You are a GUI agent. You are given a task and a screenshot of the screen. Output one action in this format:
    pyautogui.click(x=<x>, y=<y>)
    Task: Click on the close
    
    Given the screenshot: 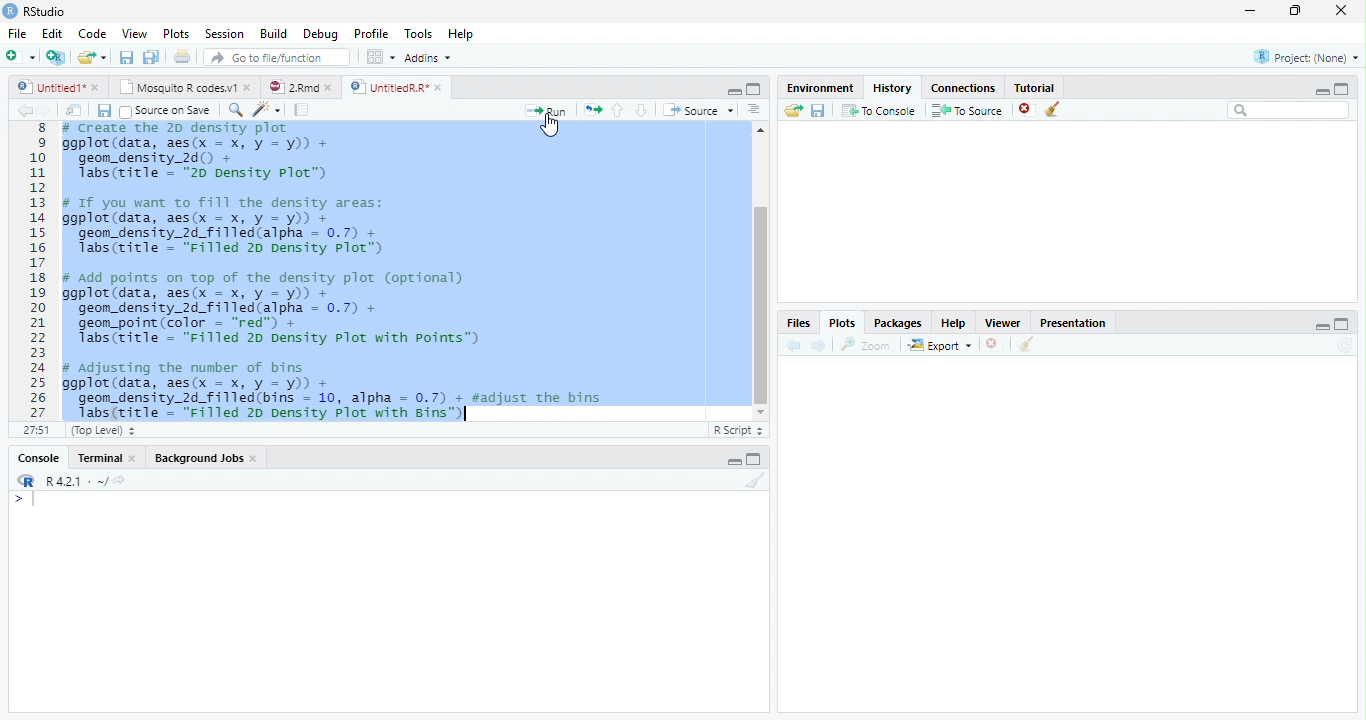 What is the action you would take?
    pyautogui.click(x=1342, y=10)
    